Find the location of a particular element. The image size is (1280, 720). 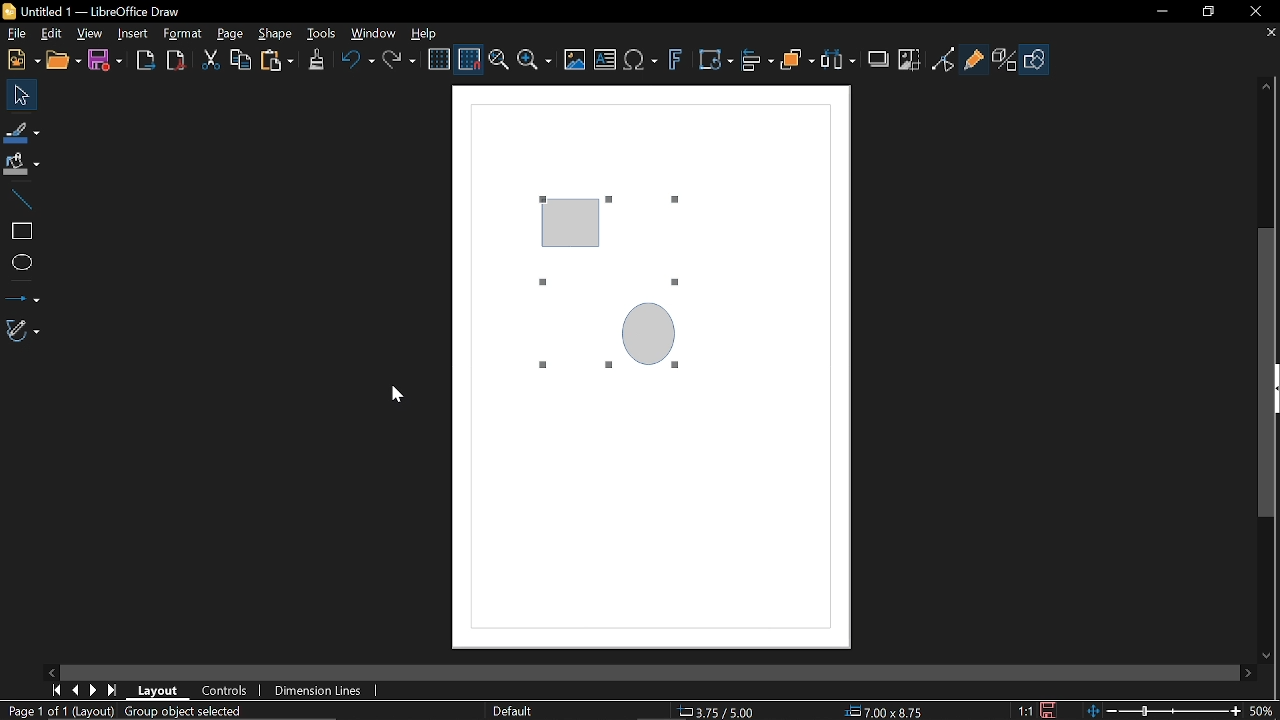

Grouped images is located at coordinates (612, 285).